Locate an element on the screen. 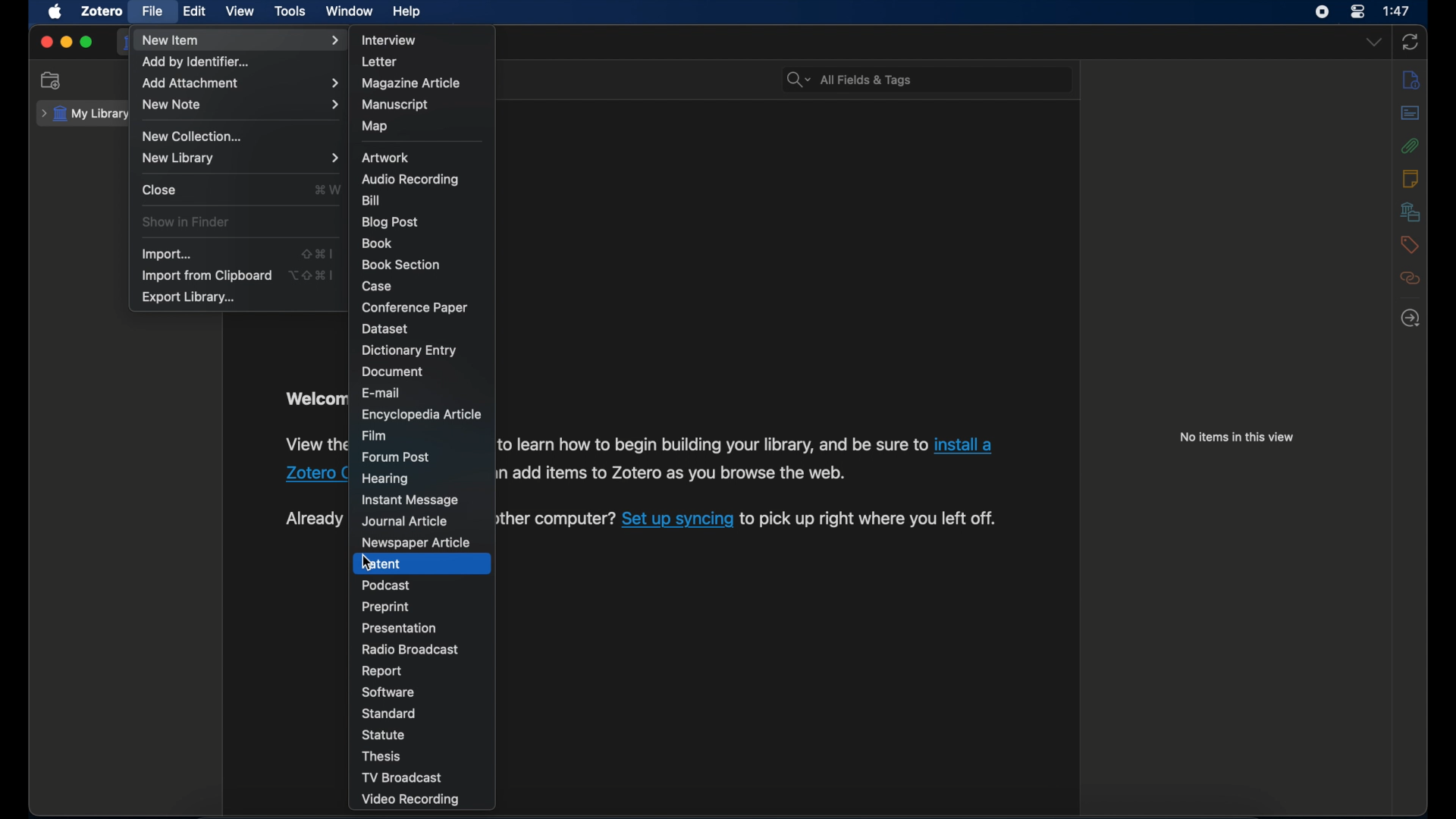 Image resolution: width=1456 pixels, height=819 pixels. screen recorder is located at coordinates (1323, 11).